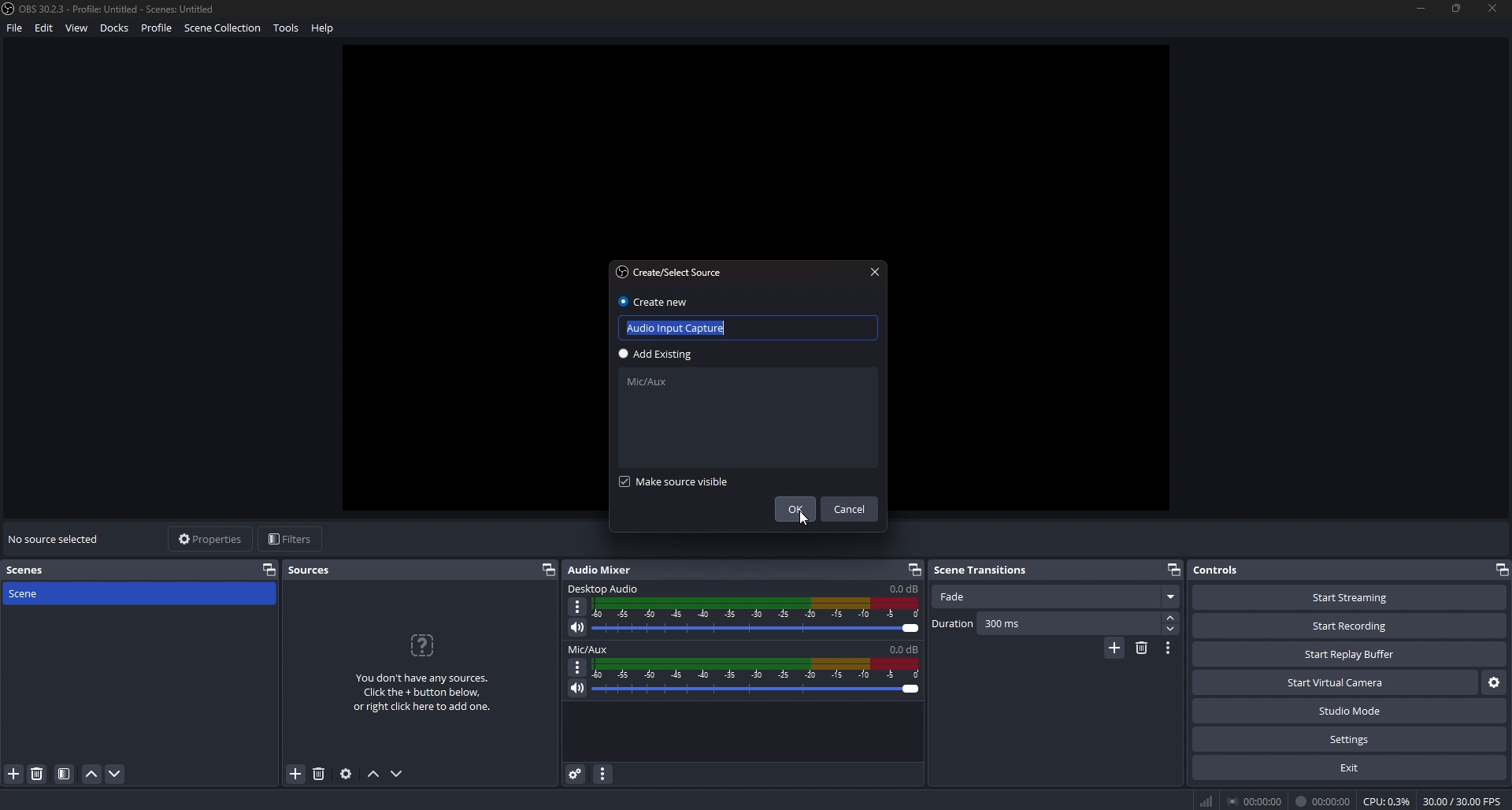 The image size is (1512, 810). I want to click on mute, so click(578, 627).